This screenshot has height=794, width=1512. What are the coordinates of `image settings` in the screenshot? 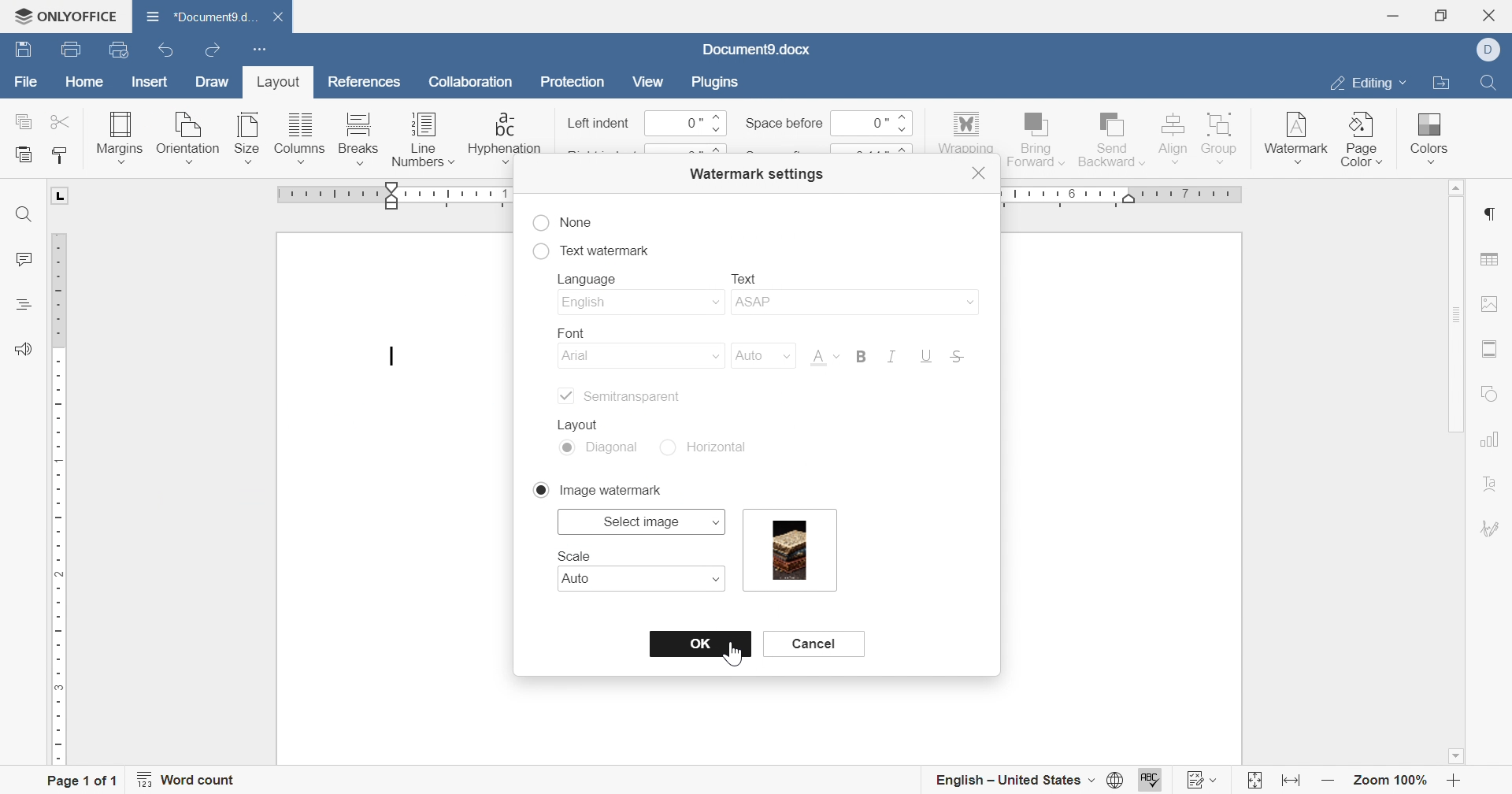 It's located at (1490, 303).